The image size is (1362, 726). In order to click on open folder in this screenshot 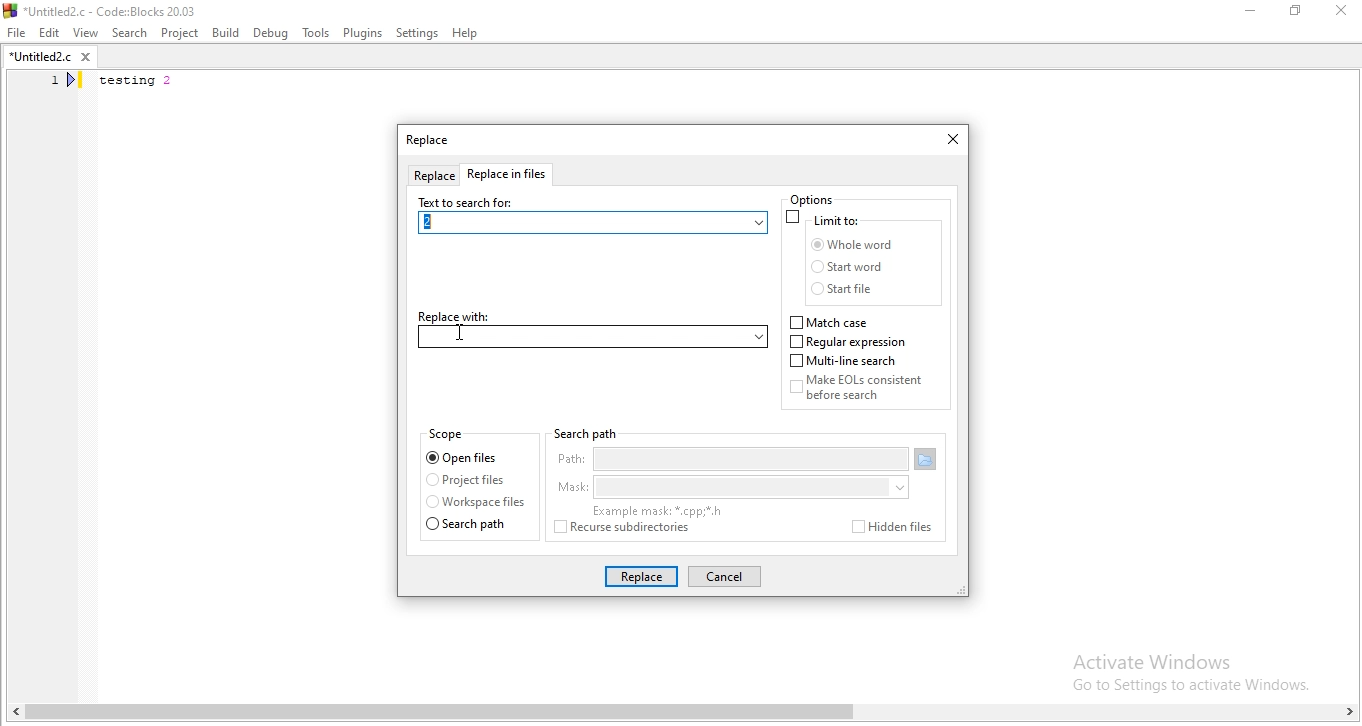, I will do `click(927, 460)`.